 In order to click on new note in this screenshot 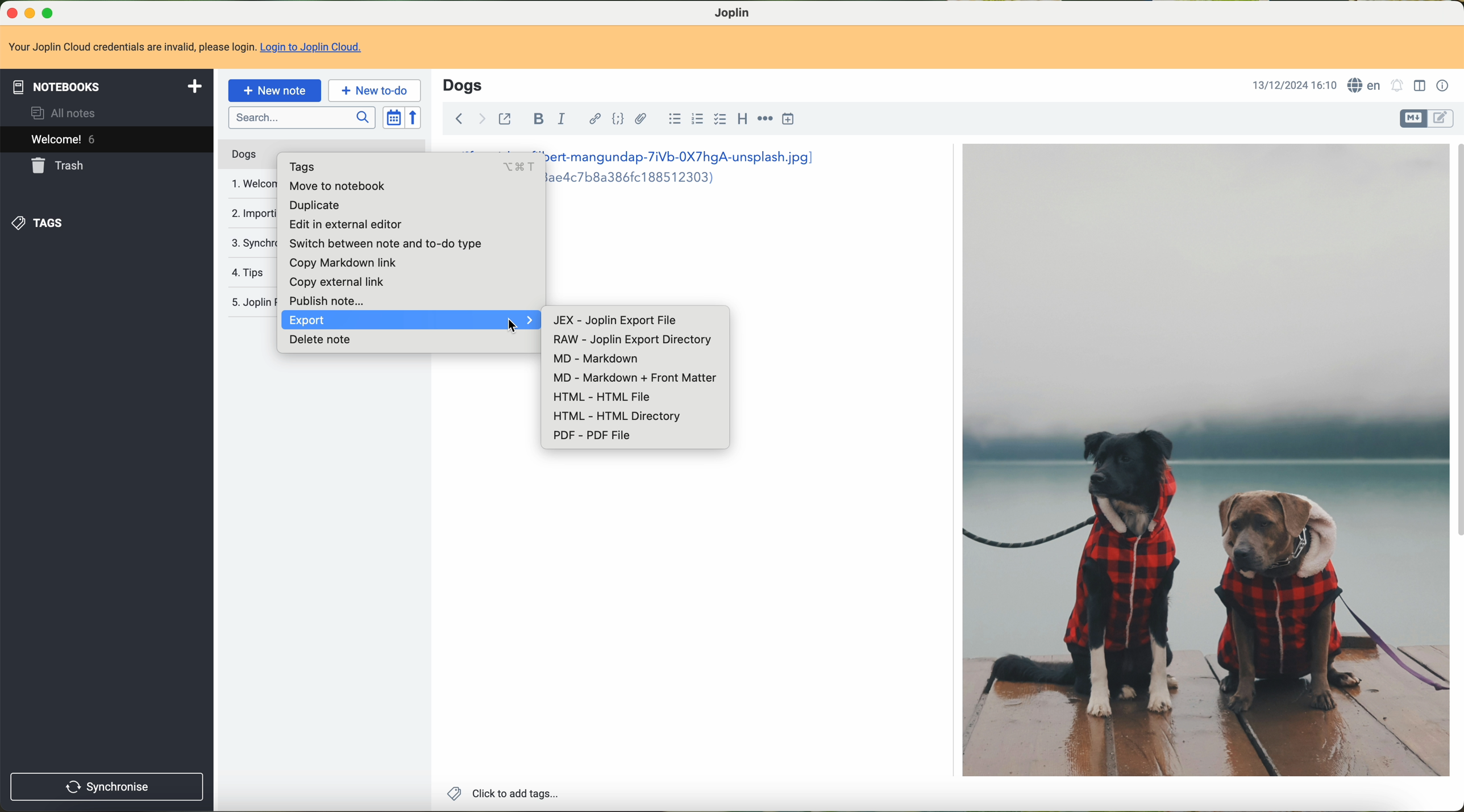, I will do `click(275, 89)`.